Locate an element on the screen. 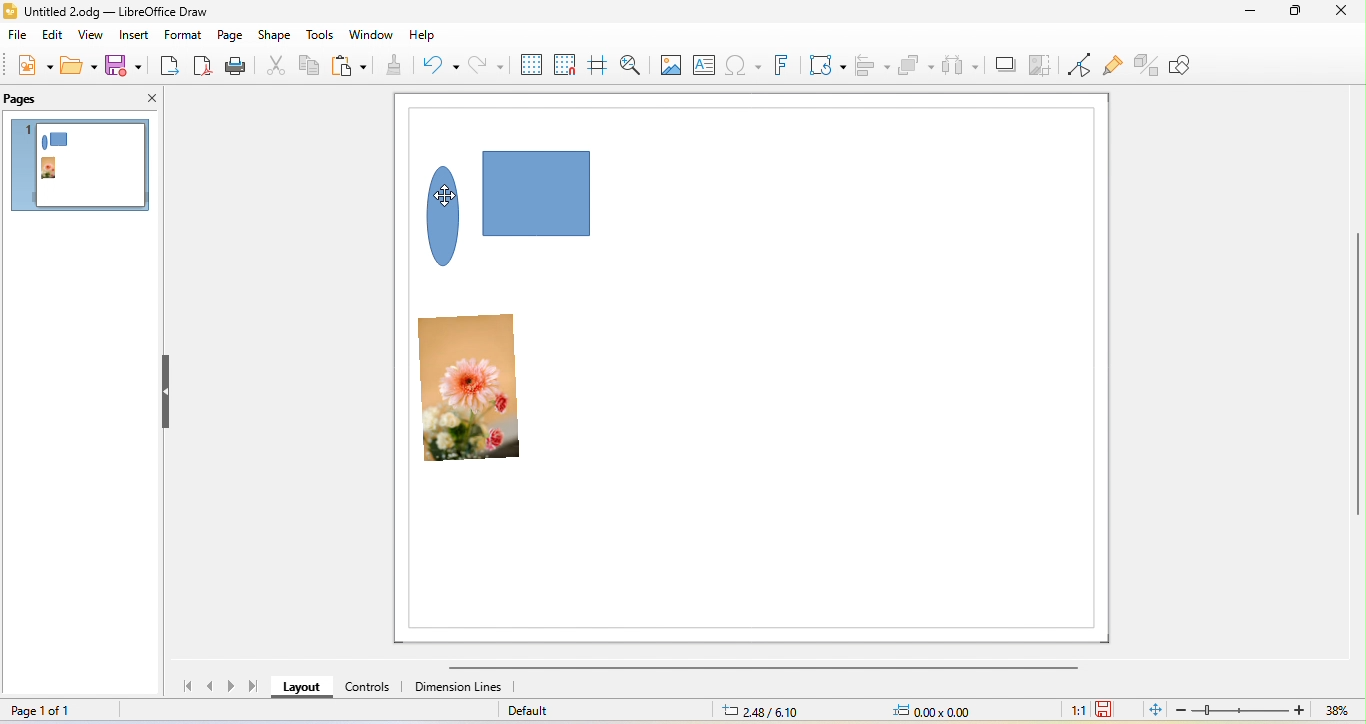  undo is located at coordinates (443, 64).